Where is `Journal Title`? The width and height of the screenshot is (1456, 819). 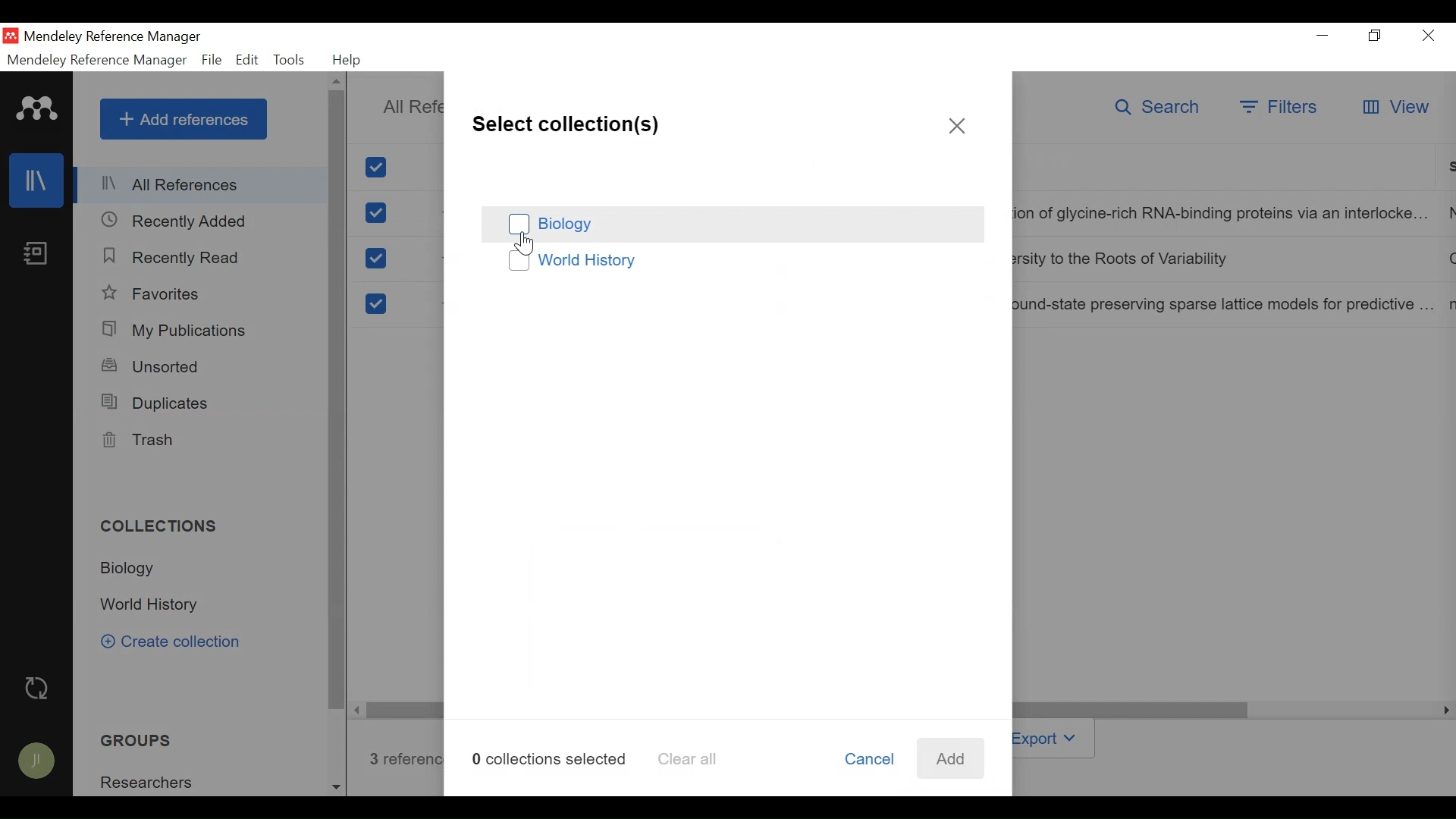
Journal Title is located at coordinates (1225, 260).